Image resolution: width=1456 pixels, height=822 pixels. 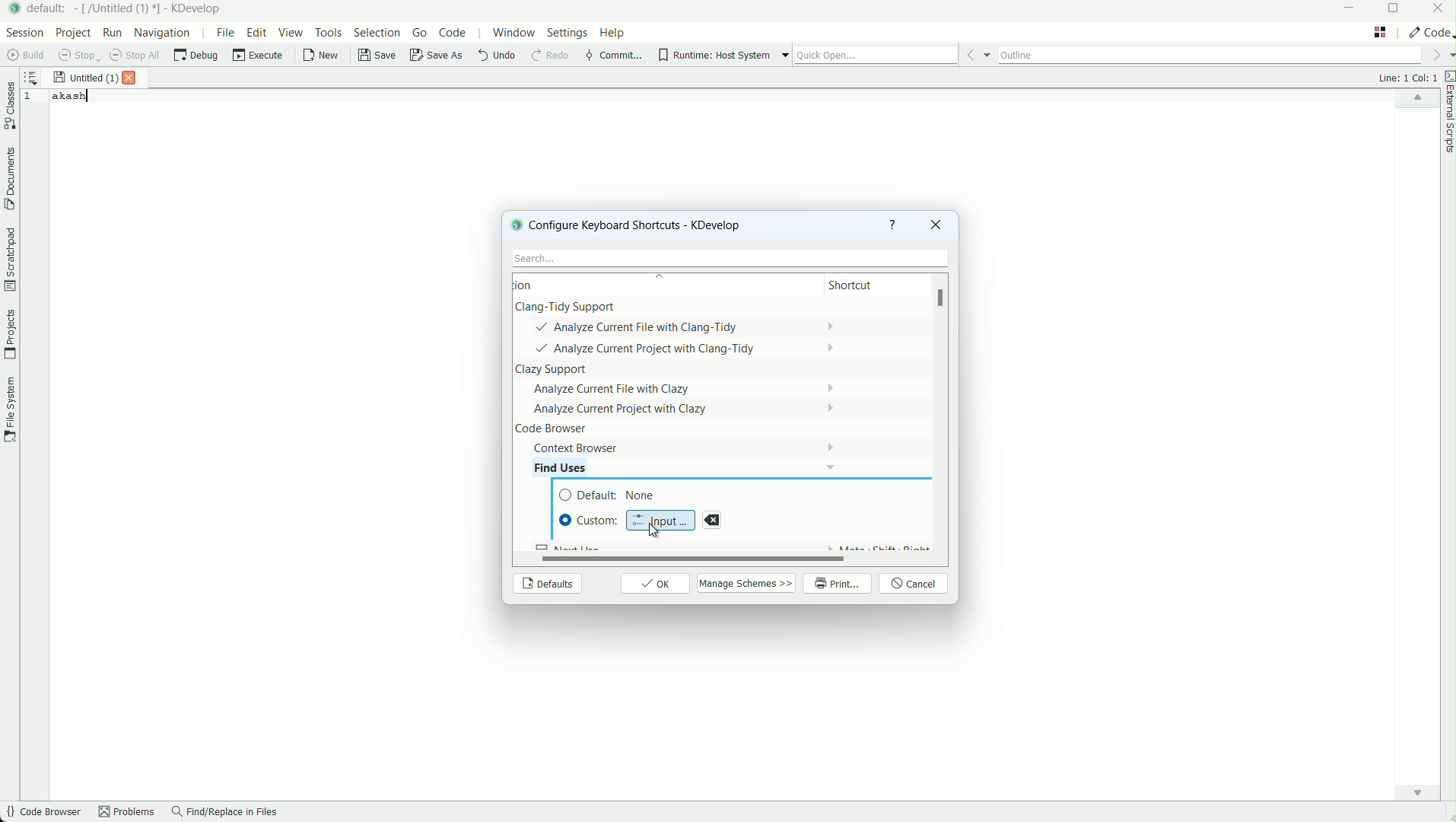 What do you see at coordinates (652, 530) in the screenshot?
I see `cursor` at bounding box center [652, 530].